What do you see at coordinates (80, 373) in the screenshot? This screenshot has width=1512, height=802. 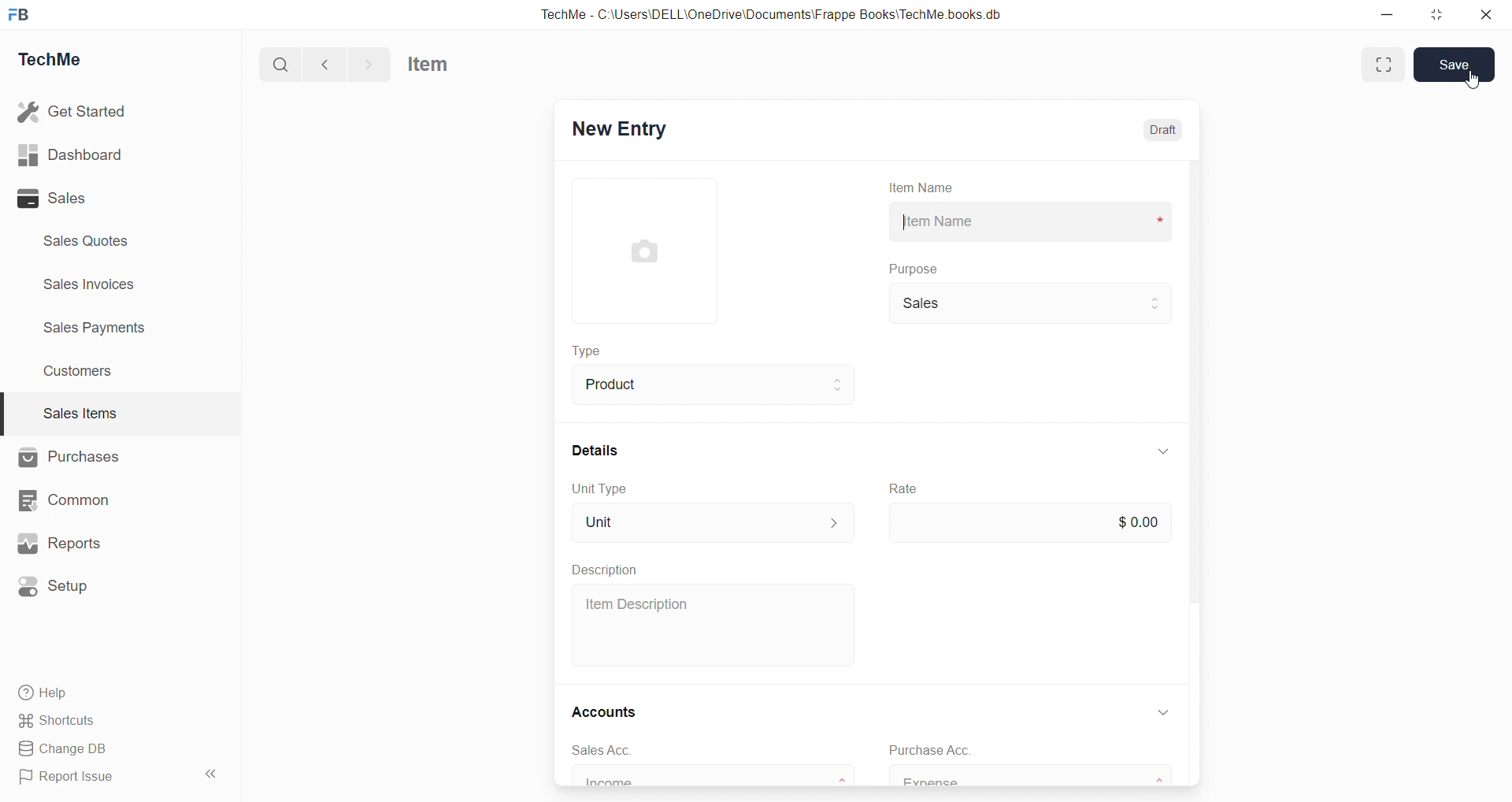 I see `Customers` at bounding box center [80, 373].